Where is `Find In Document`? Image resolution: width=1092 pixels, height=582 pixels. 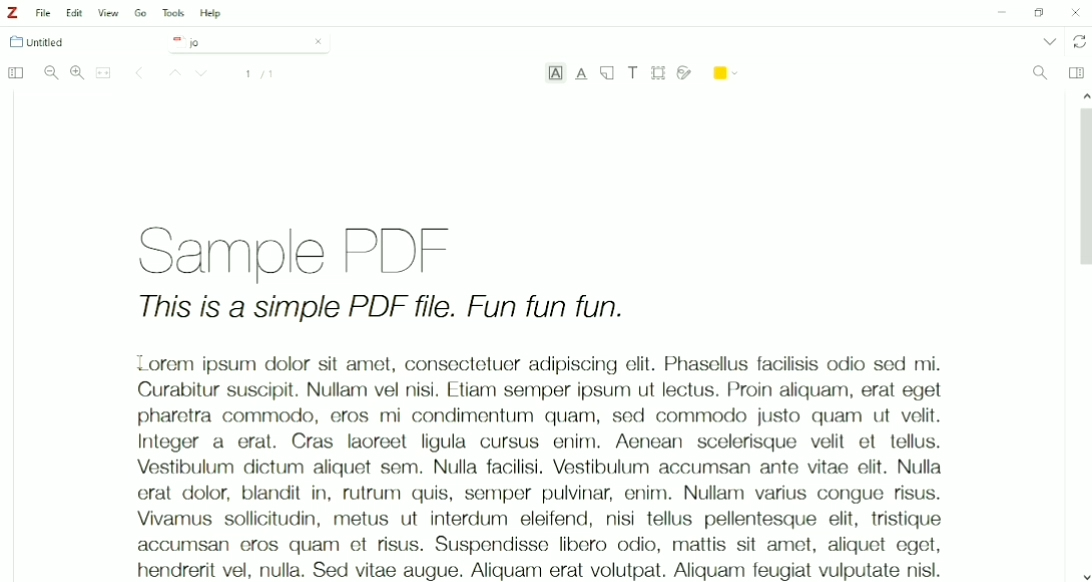 Find In Document is located at coordinates (1040, 74).